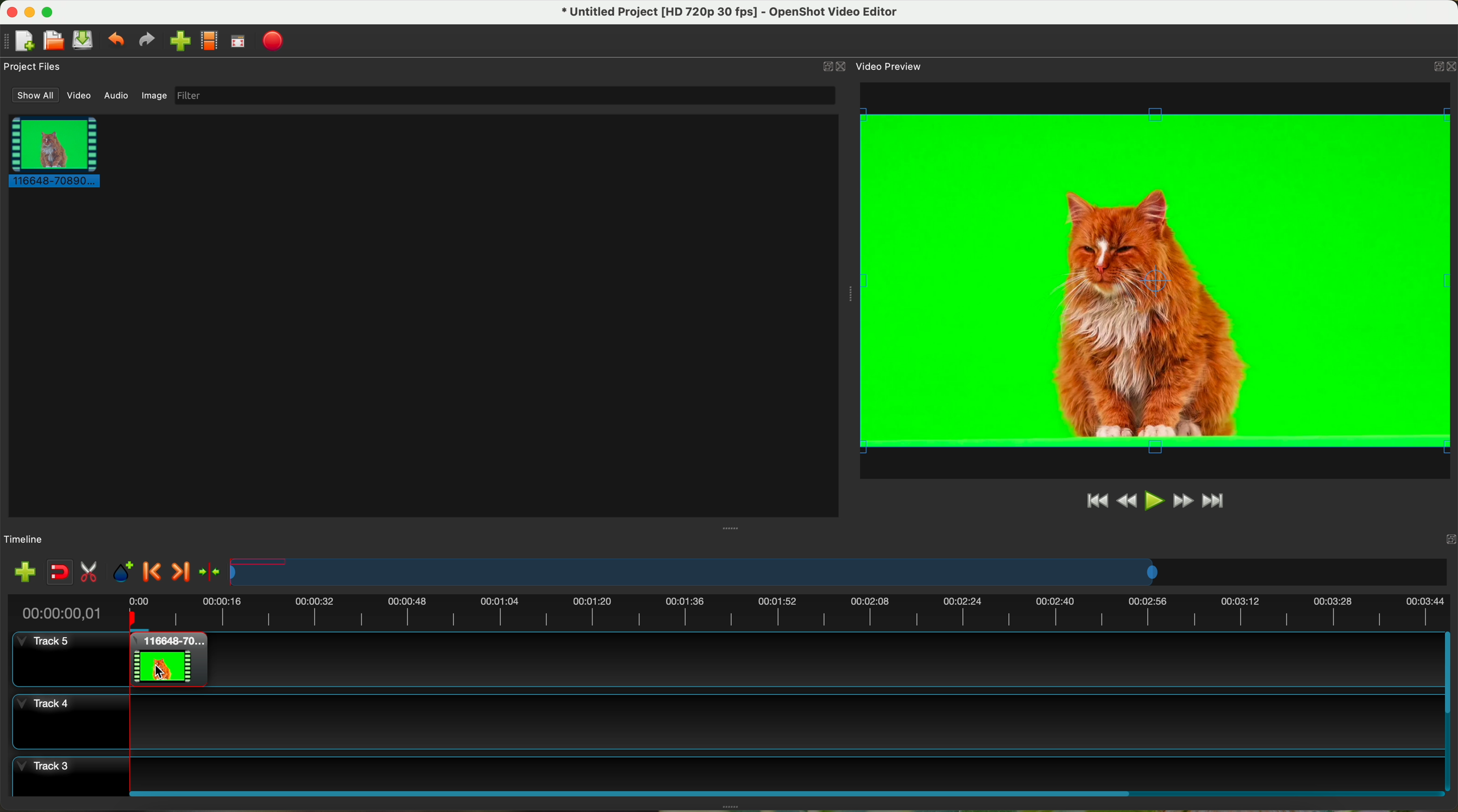 The height and width of the screenshot is (812, 1458). Describe the element at coordinates (273, 42) in the screenshot. I see `export video` at that location.